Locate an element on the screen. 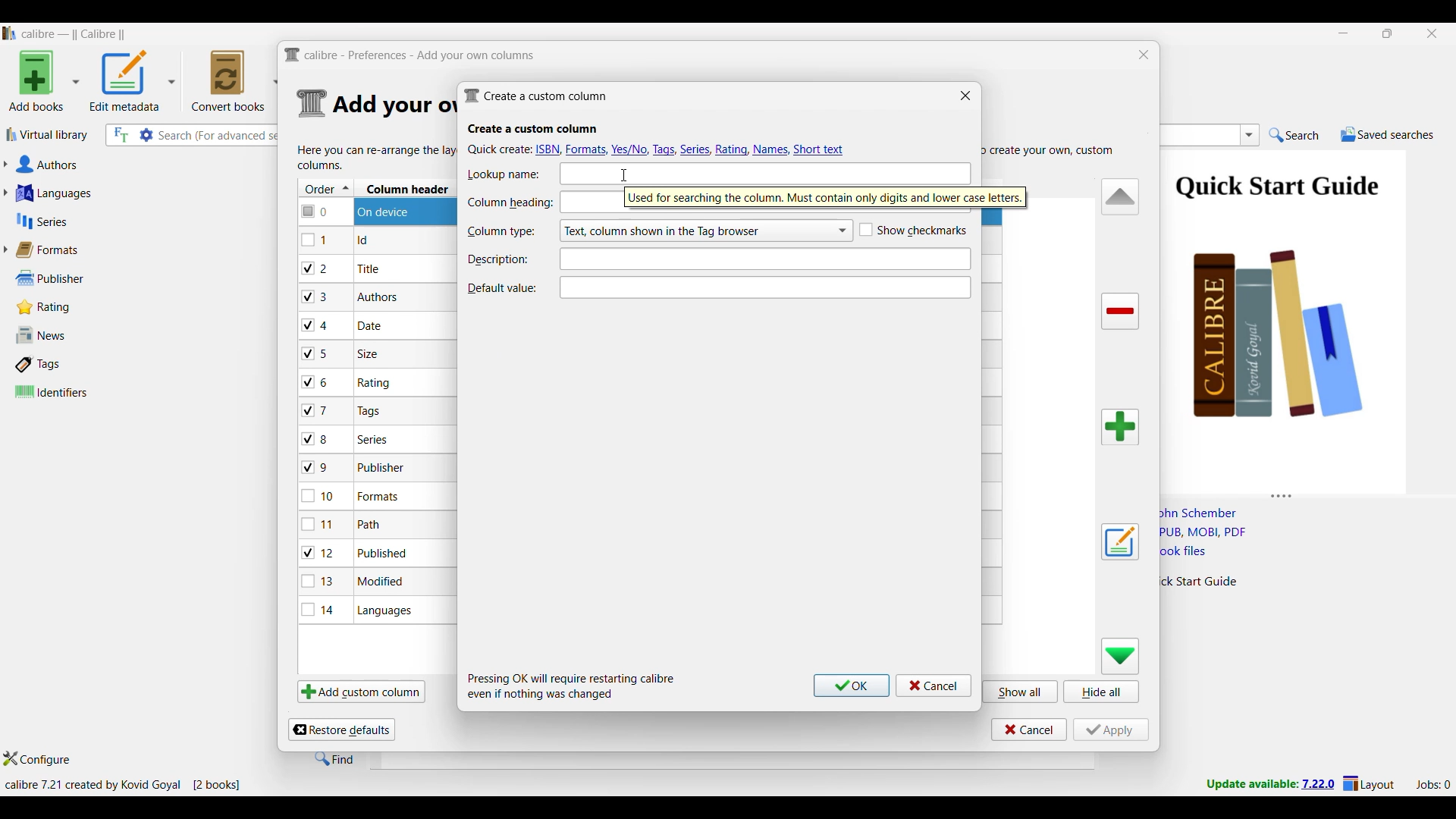  Hide all is located at coordinates (1101, 692).